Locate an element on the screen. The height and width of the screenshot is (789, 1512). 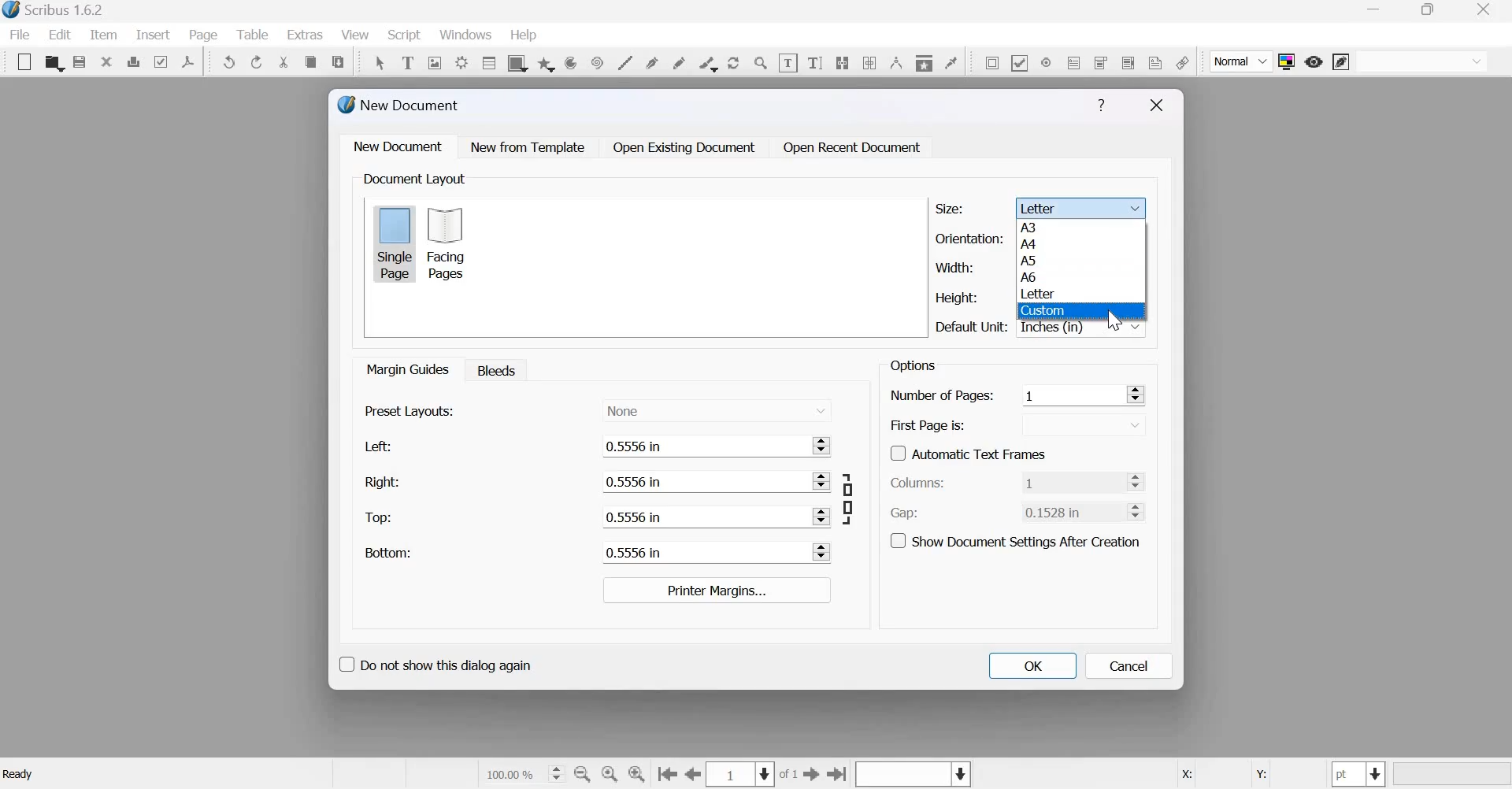
PDF combo box is located at coordinates (1099, 62).